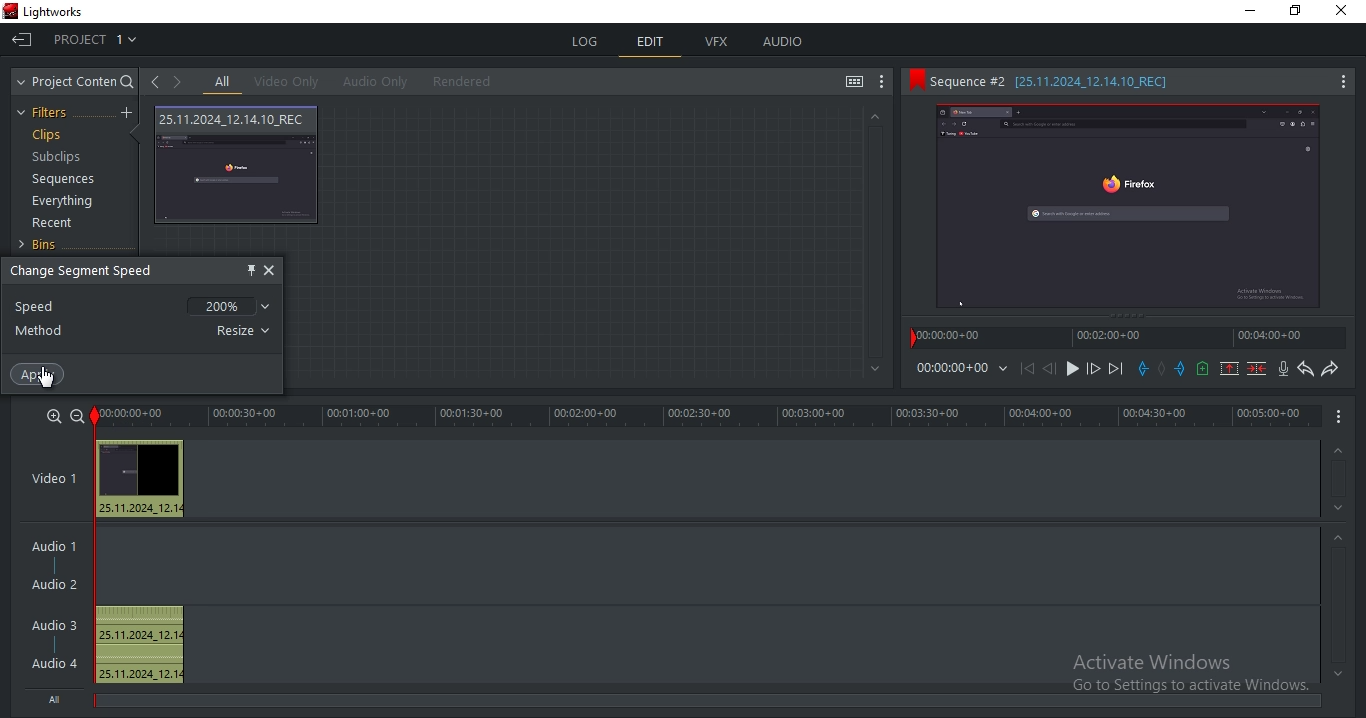 Image resolution: width=1366 pixels, height=718 pixels. What do you see at coordinates (55, 158) in the screenshot?
I see `subclips` at bounding box center [55, 158].